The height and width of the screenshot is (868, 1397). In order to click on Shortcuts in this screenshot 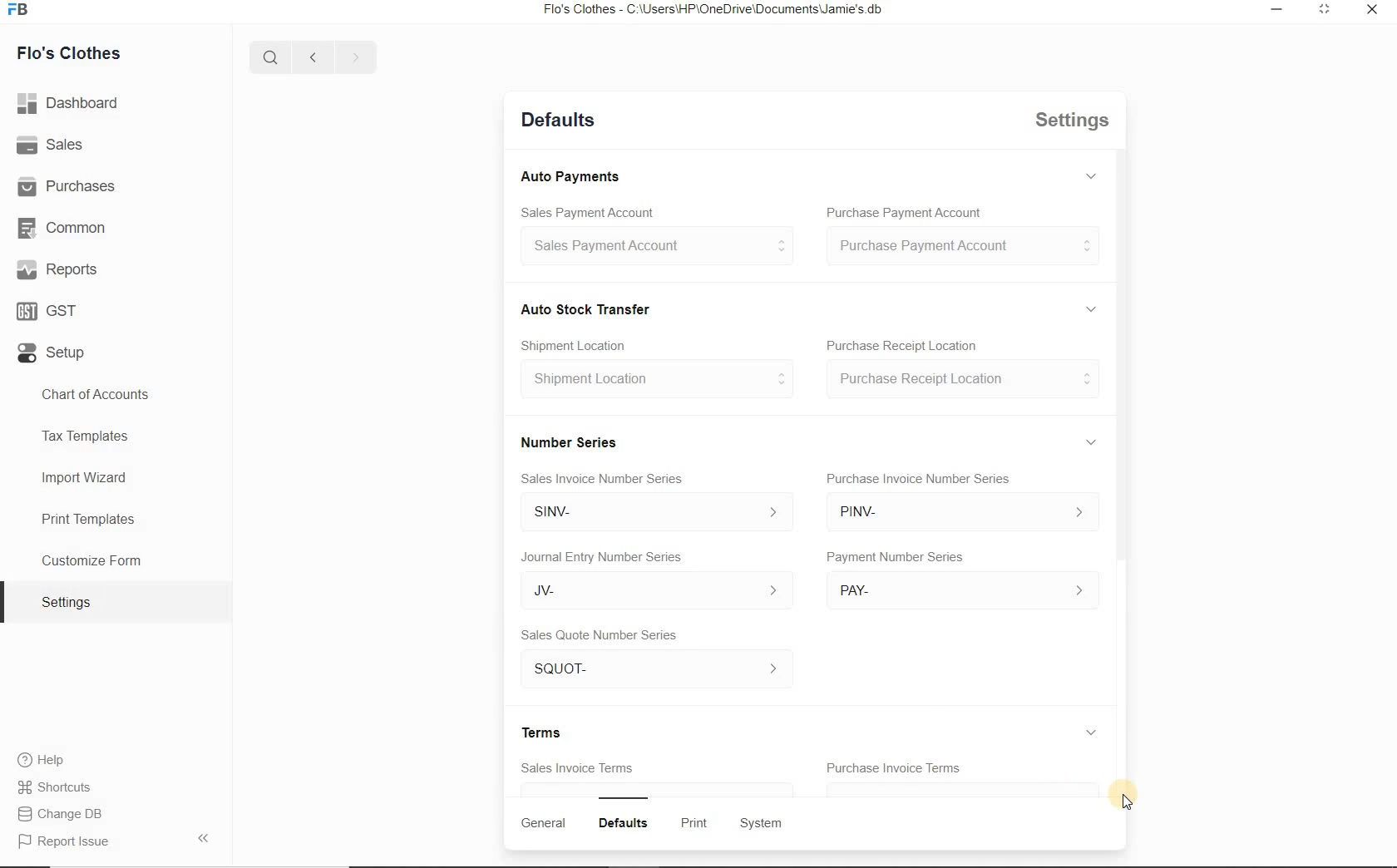, I will do `click(55, 788)`.